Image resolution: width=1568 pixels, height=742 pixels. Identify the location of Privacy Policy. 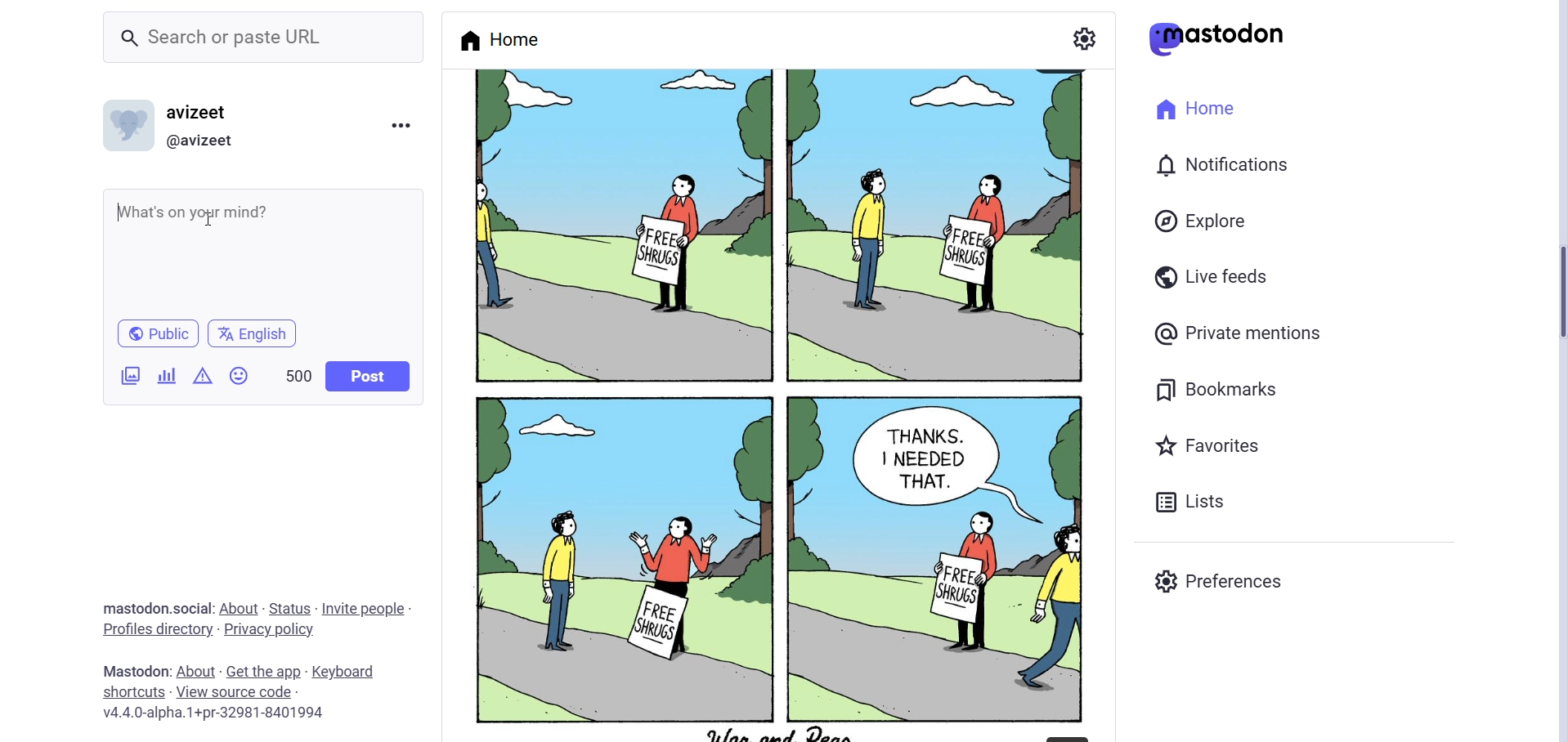
(269, 630).